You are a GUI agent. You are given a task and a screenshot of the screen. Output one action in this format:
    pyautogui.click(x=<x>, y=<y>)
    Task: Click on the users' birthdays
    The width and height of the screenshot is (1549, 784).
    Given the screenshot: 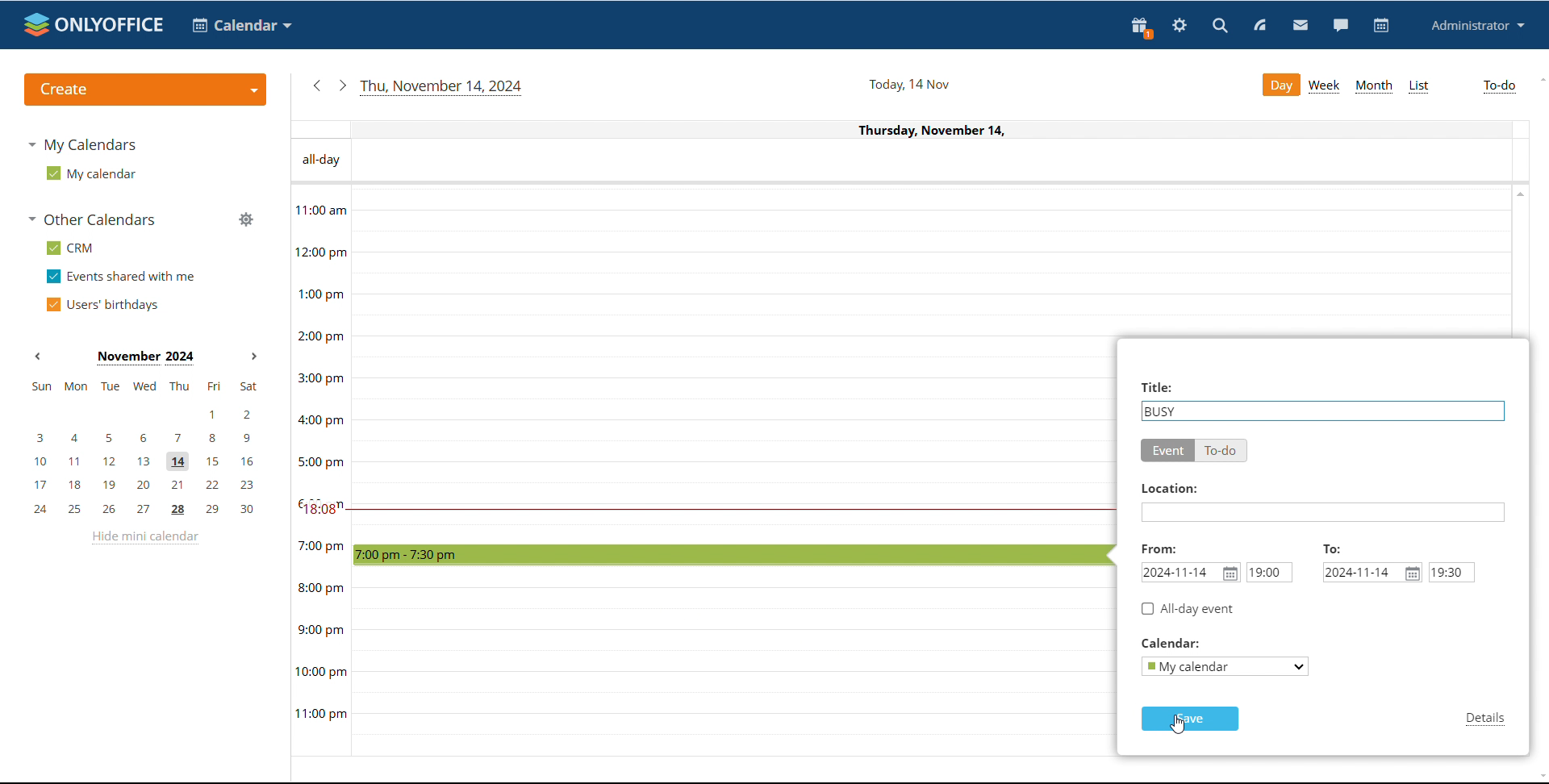 What is the action you would take?
    pyautogui.click(x=99, y=306)
    